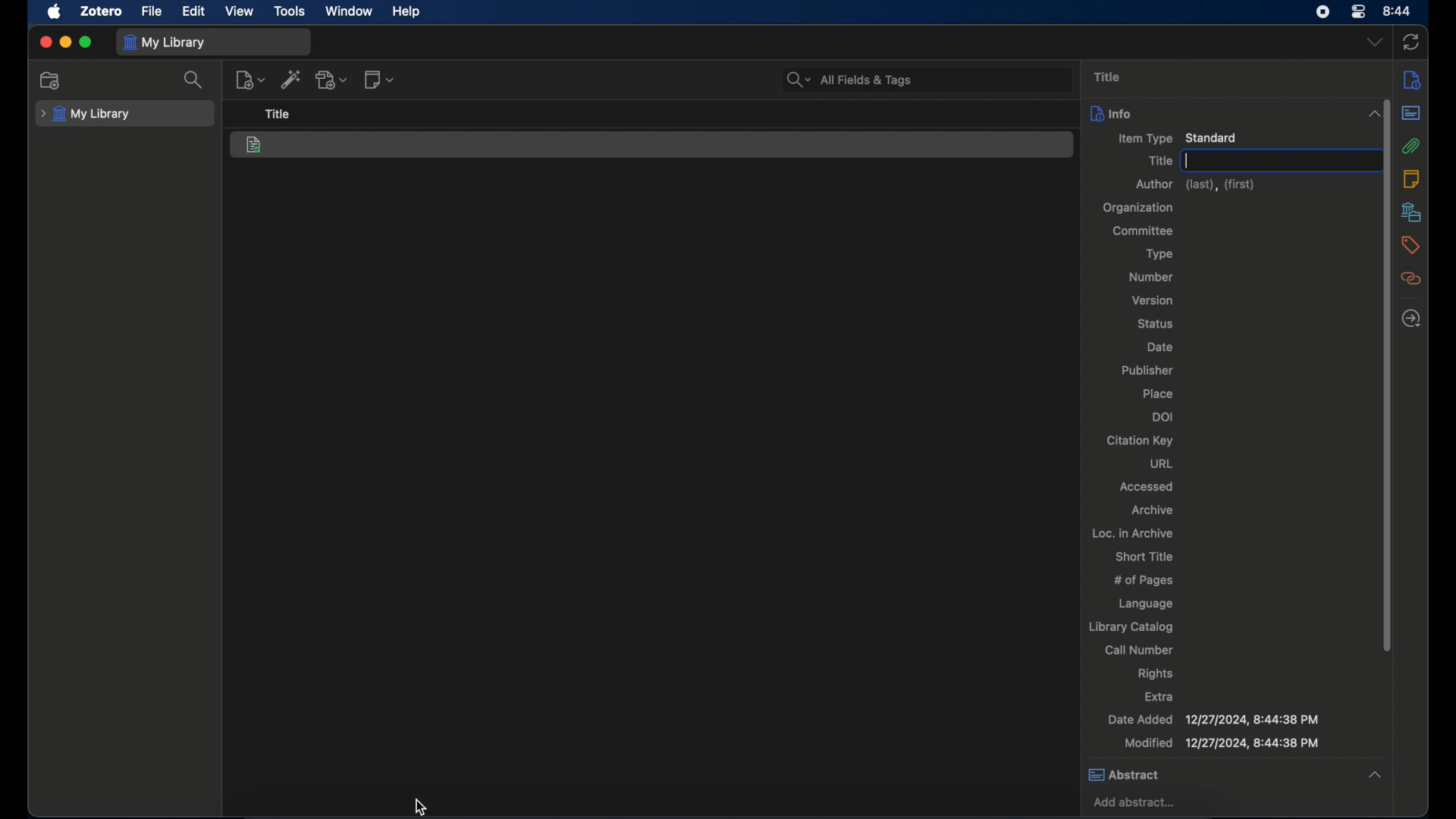 This screenshot has height=819, width=1456. What do you see at coordinates (1370, 114) in the screenshot?
I see `collapse` at bounding box center [1370, 114].